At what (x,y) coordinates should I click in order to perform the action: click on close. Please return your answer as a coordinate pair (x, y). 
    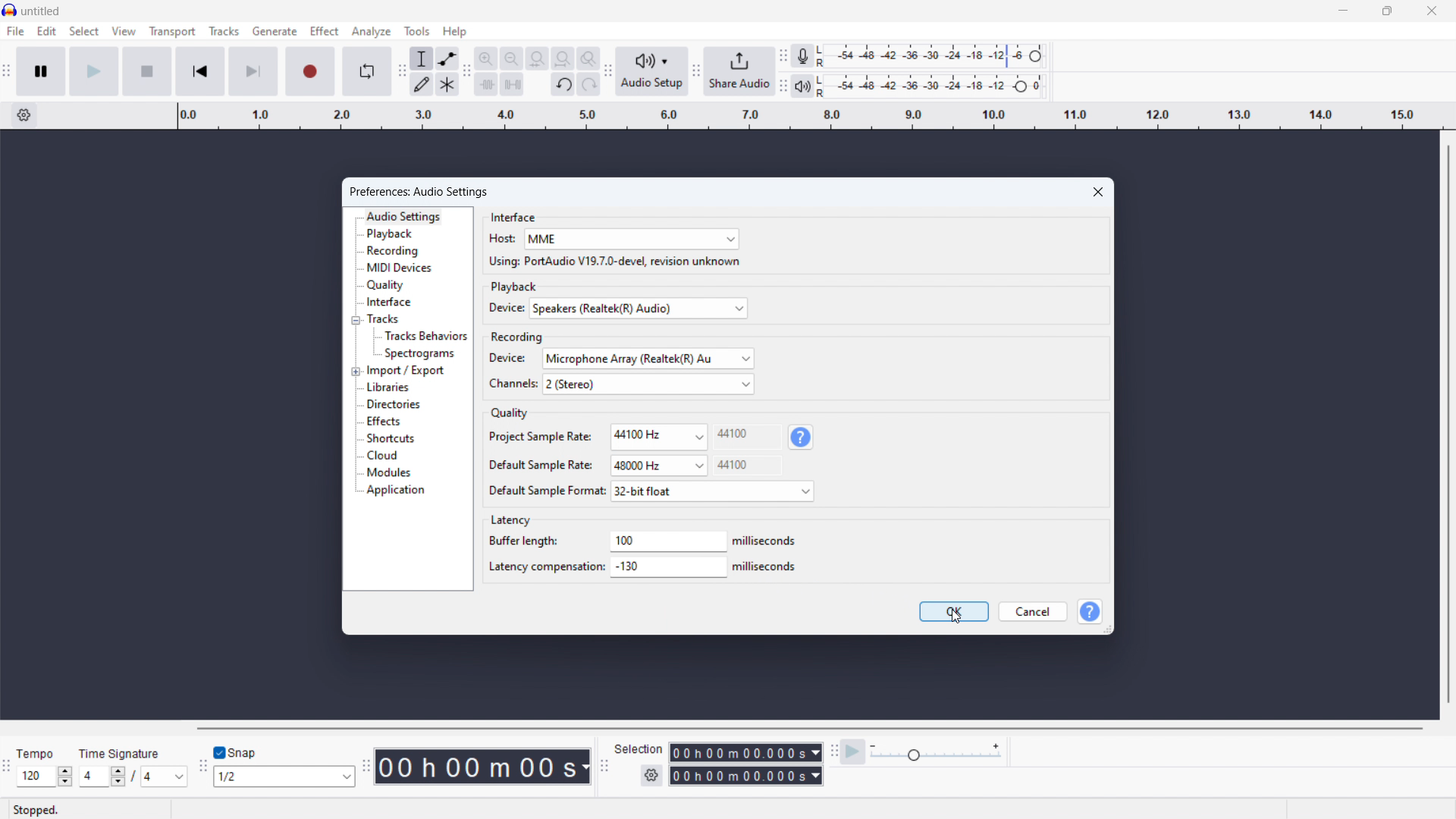
    Looking at the image, I should click on (1100, 191).